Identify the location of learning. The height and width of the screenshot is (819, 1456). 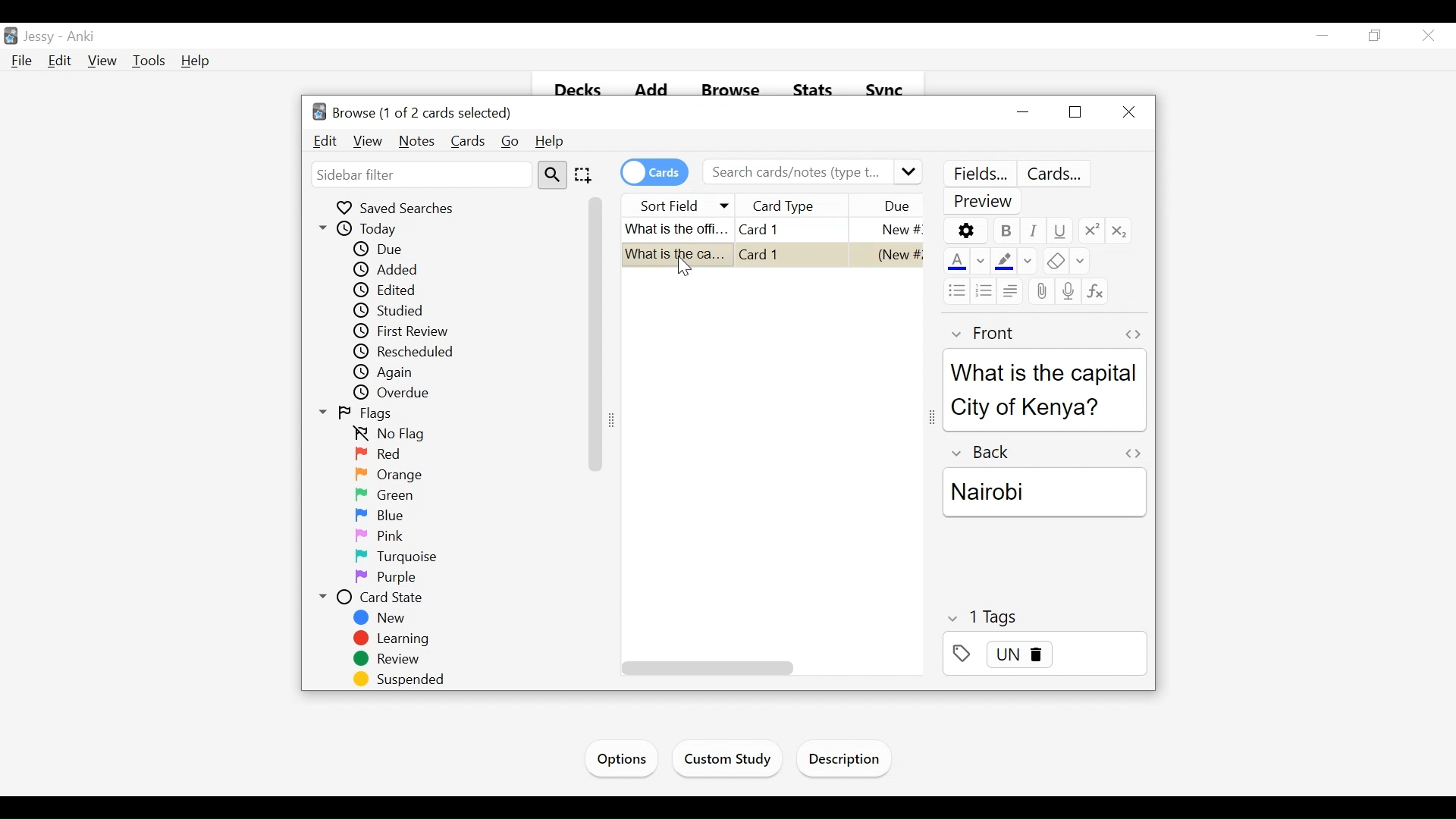
(393, 639).